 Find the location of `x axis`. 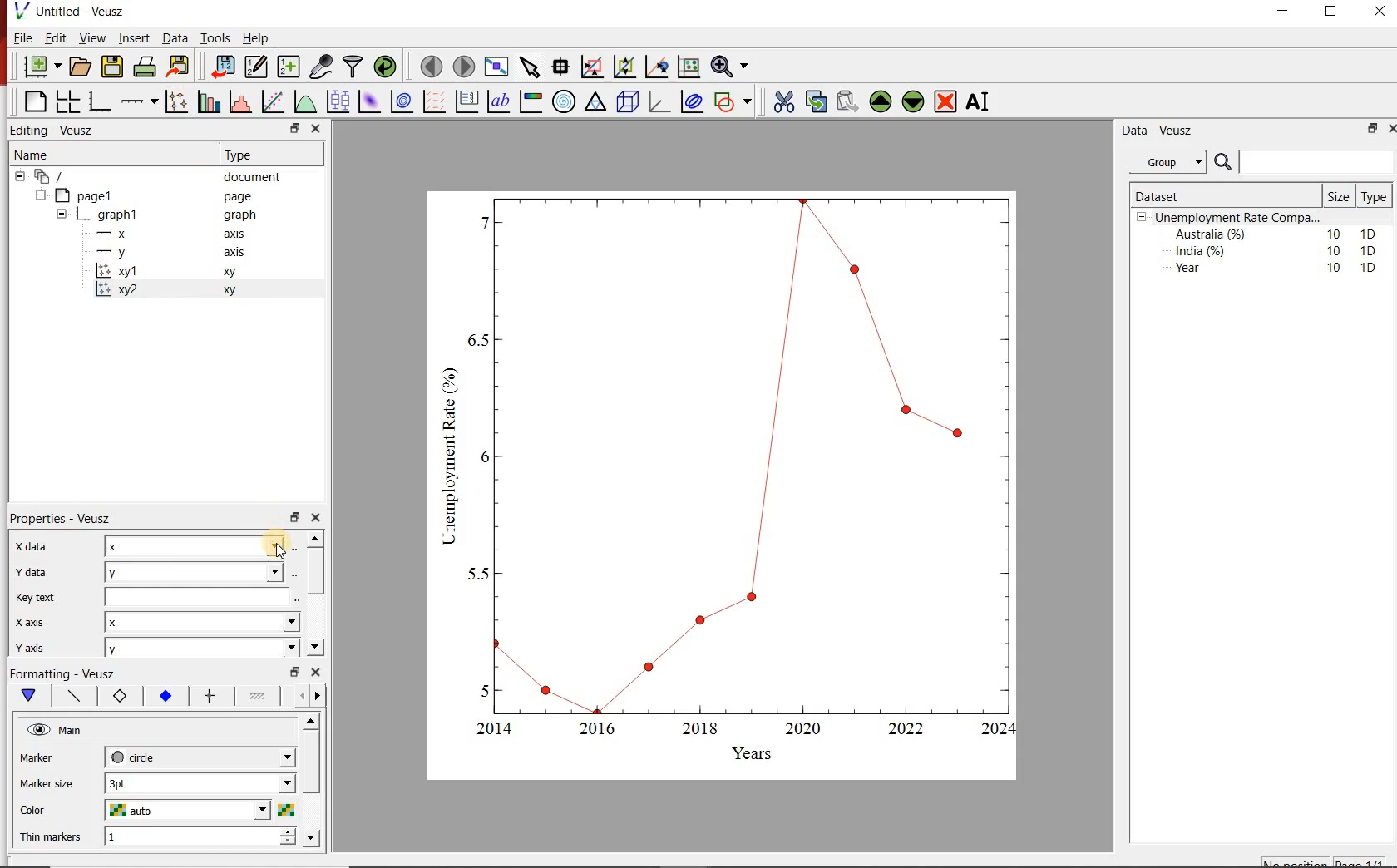

x axis is located at coordinates (178, 233).